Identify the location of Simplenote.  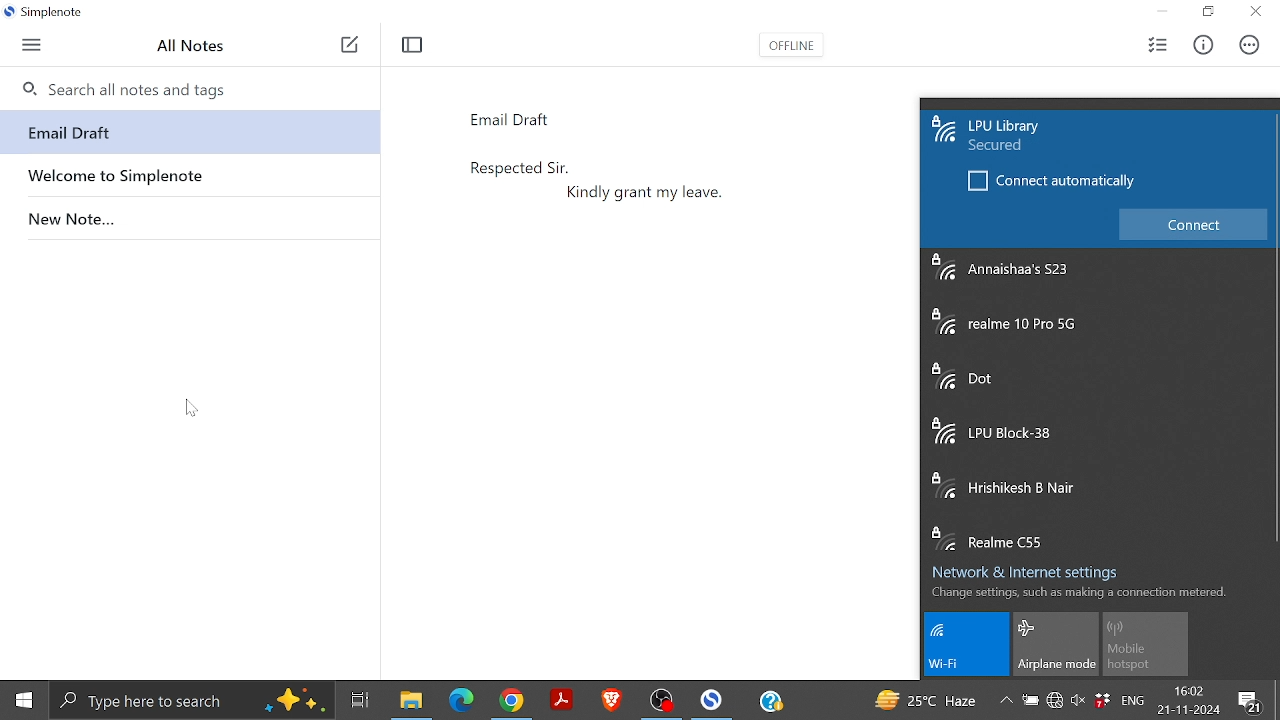
(714, 699).